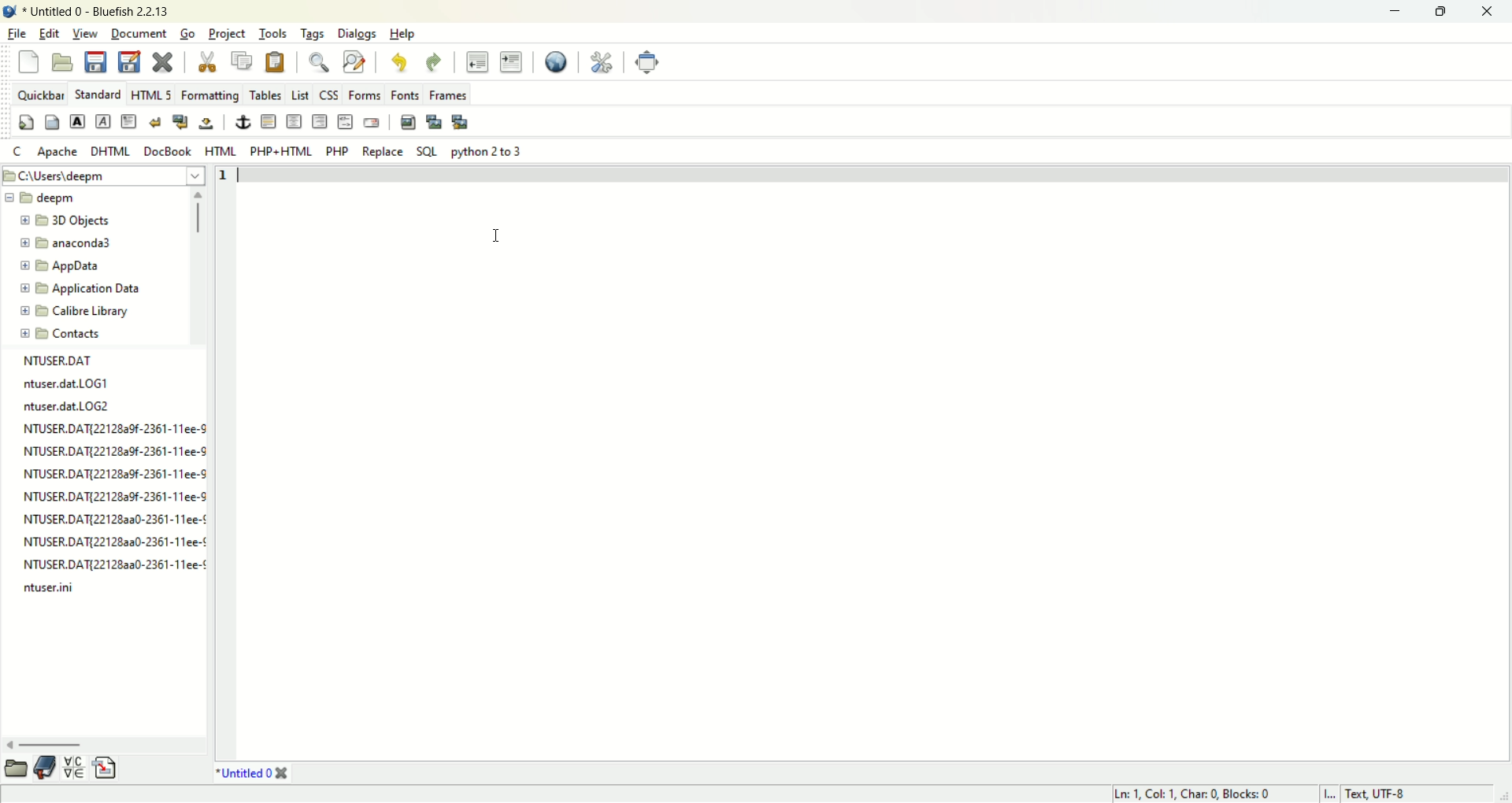 The height and width of the screenshot is (803, 1512). Describe the element at coordinates (62, 268) in the screenshot. I see `app` at that location.